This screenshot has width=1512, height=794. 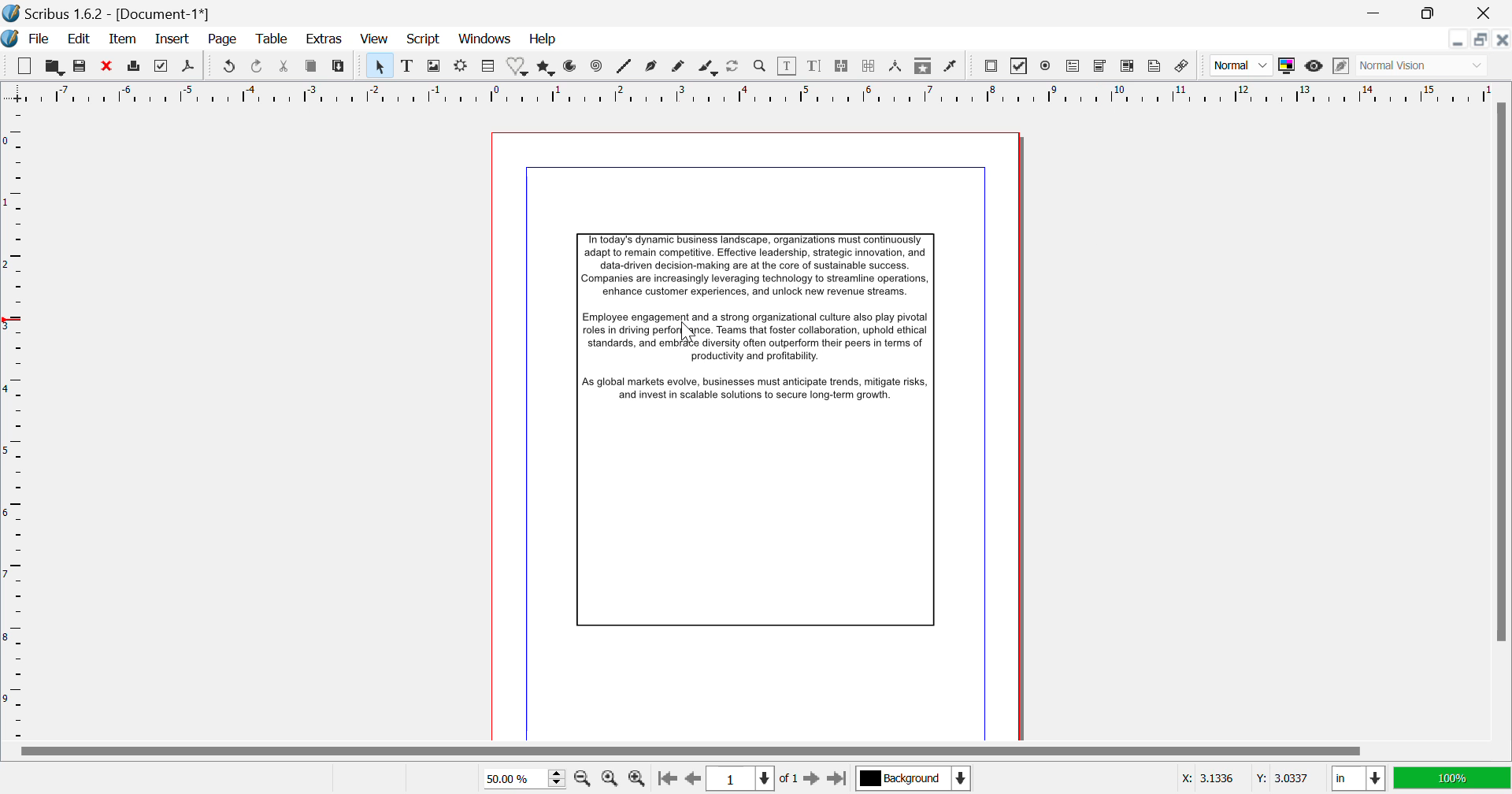 I want to click on Image Frame, so click(x=435, y=66).